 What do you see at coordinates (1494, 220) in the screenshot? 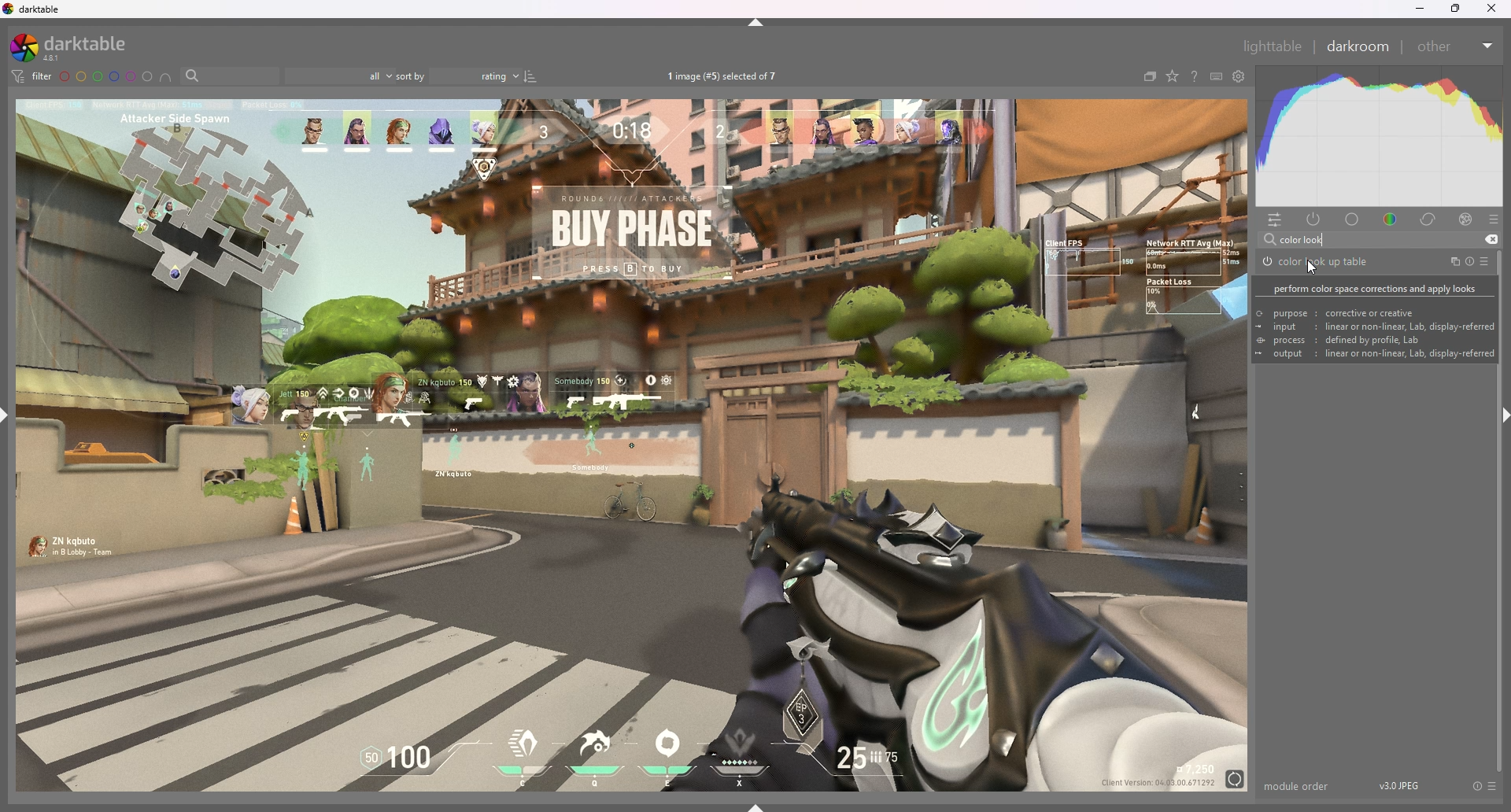
I see `presets` at bounding box center [1494, 220].